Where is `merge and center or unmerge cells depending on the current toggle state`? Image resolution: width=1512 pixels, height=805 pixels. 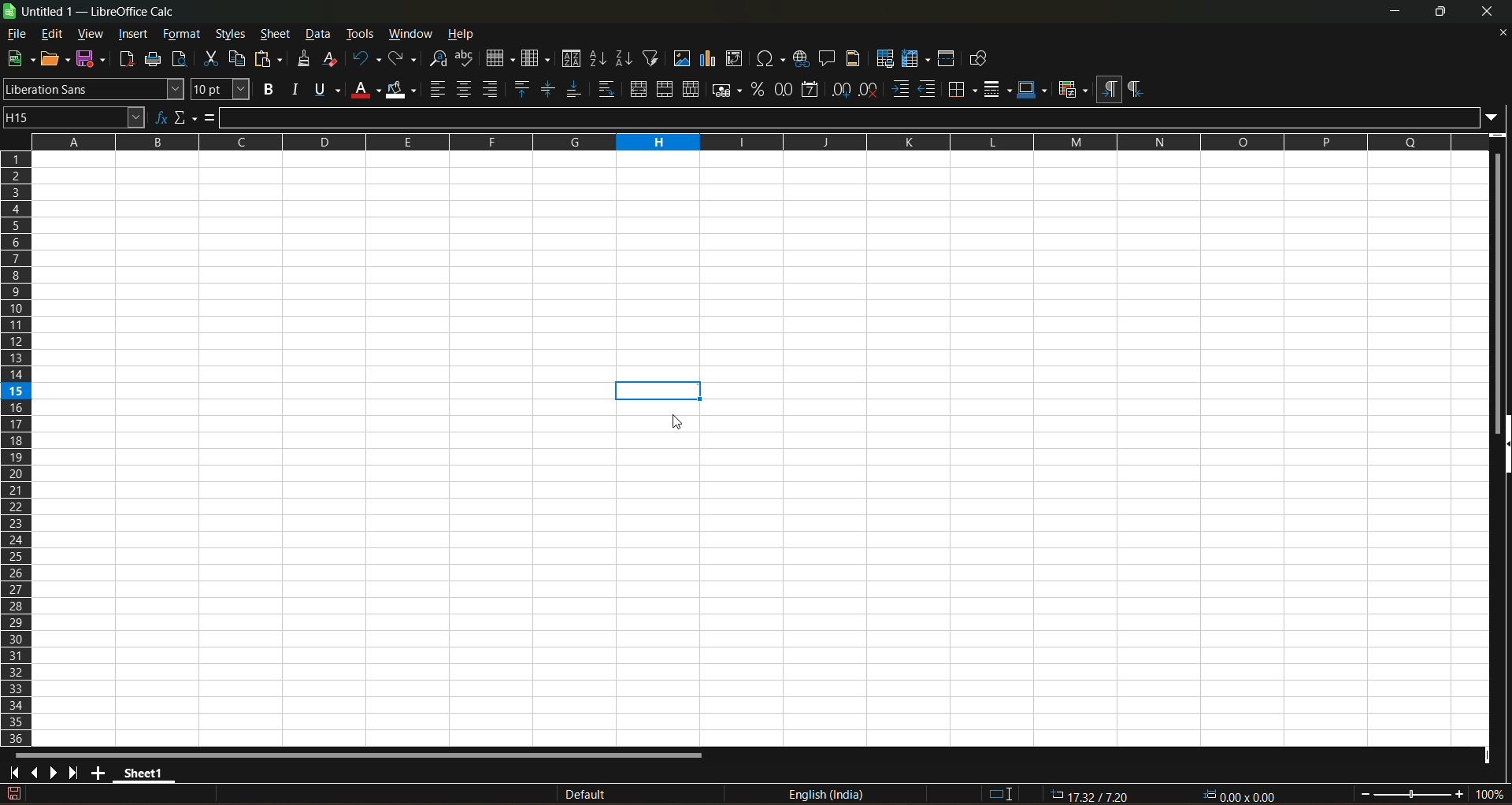 merge and center or unmerge cells depending on the current toggle state is located at coordinates (640, 89).